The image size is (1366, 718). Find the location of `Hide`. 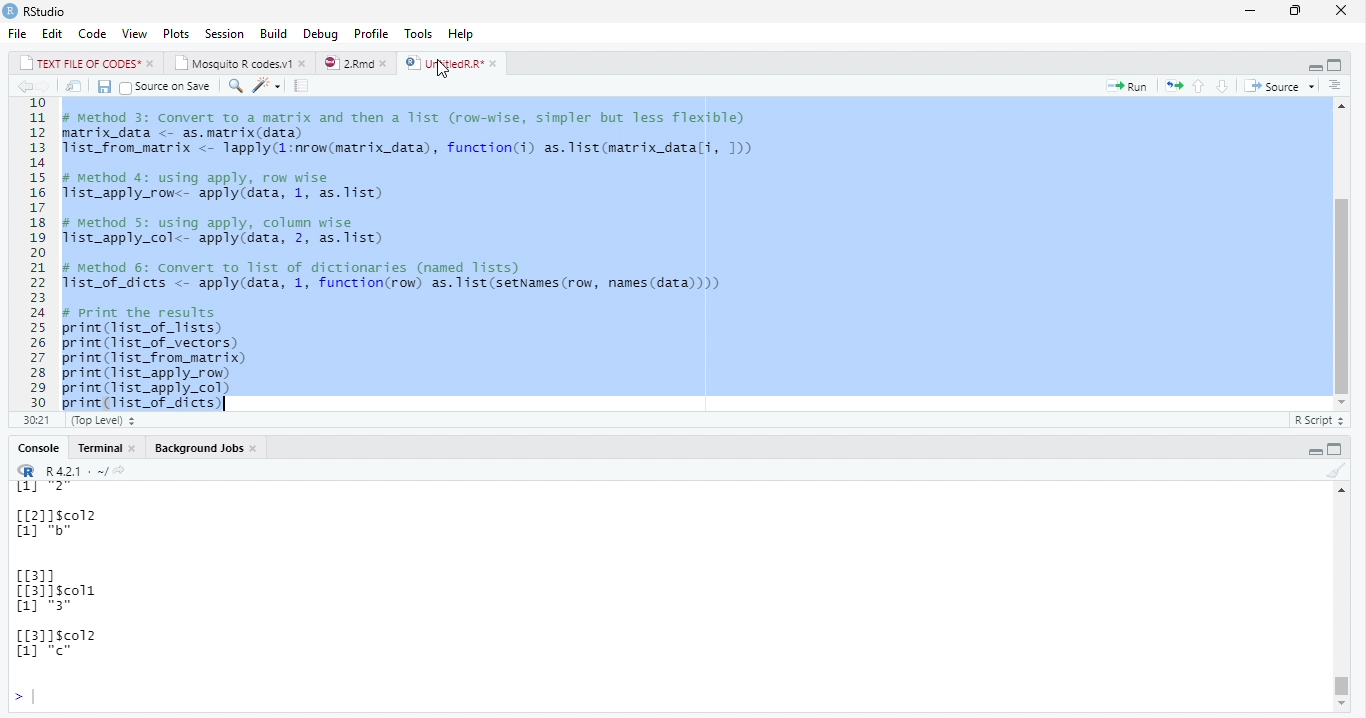

Hide is located at coordinates (1310, 67).